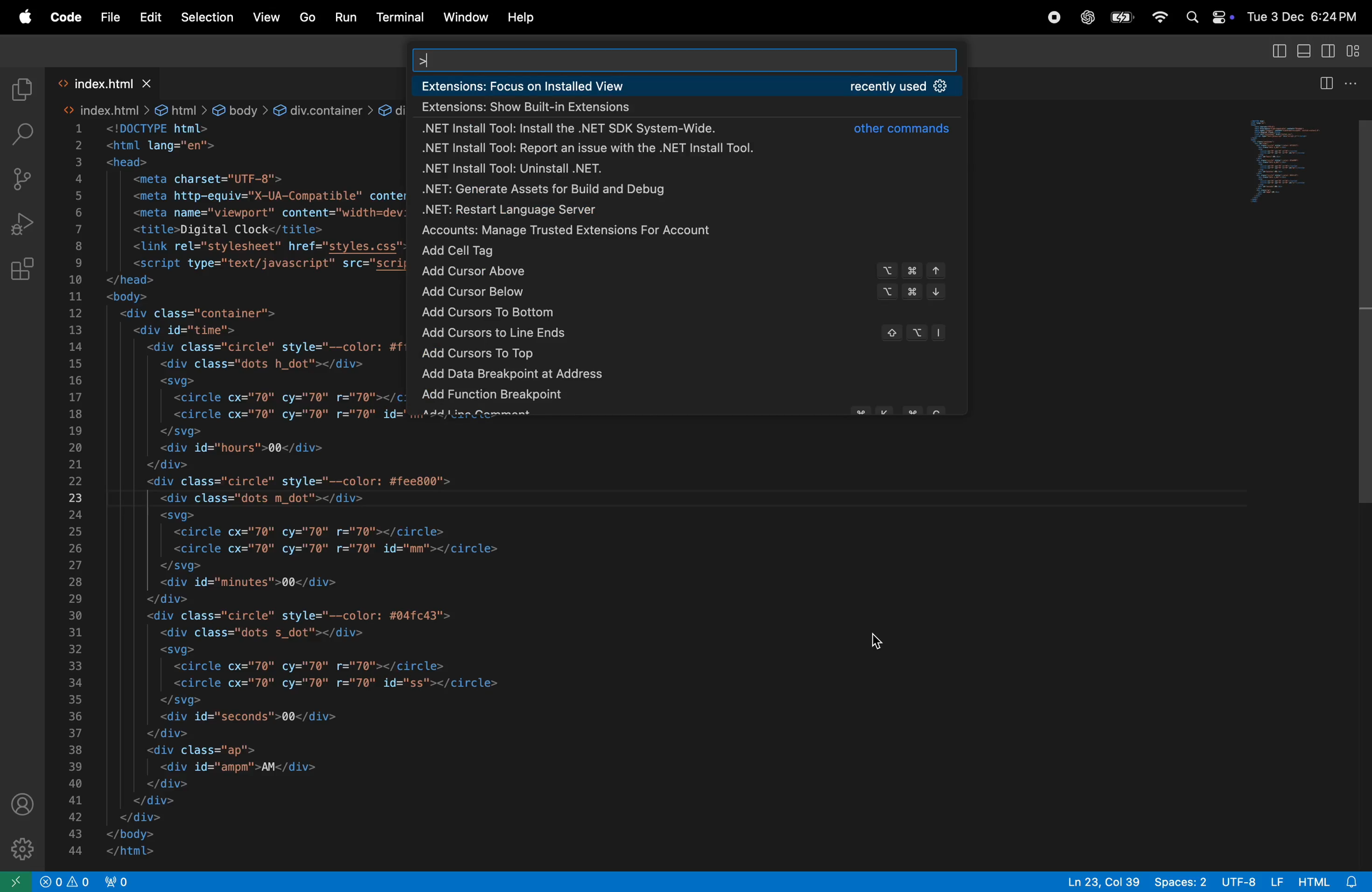  Describe the element at coordinates (1183, 880) in the screenshot. I see `spaces 2` at that location.